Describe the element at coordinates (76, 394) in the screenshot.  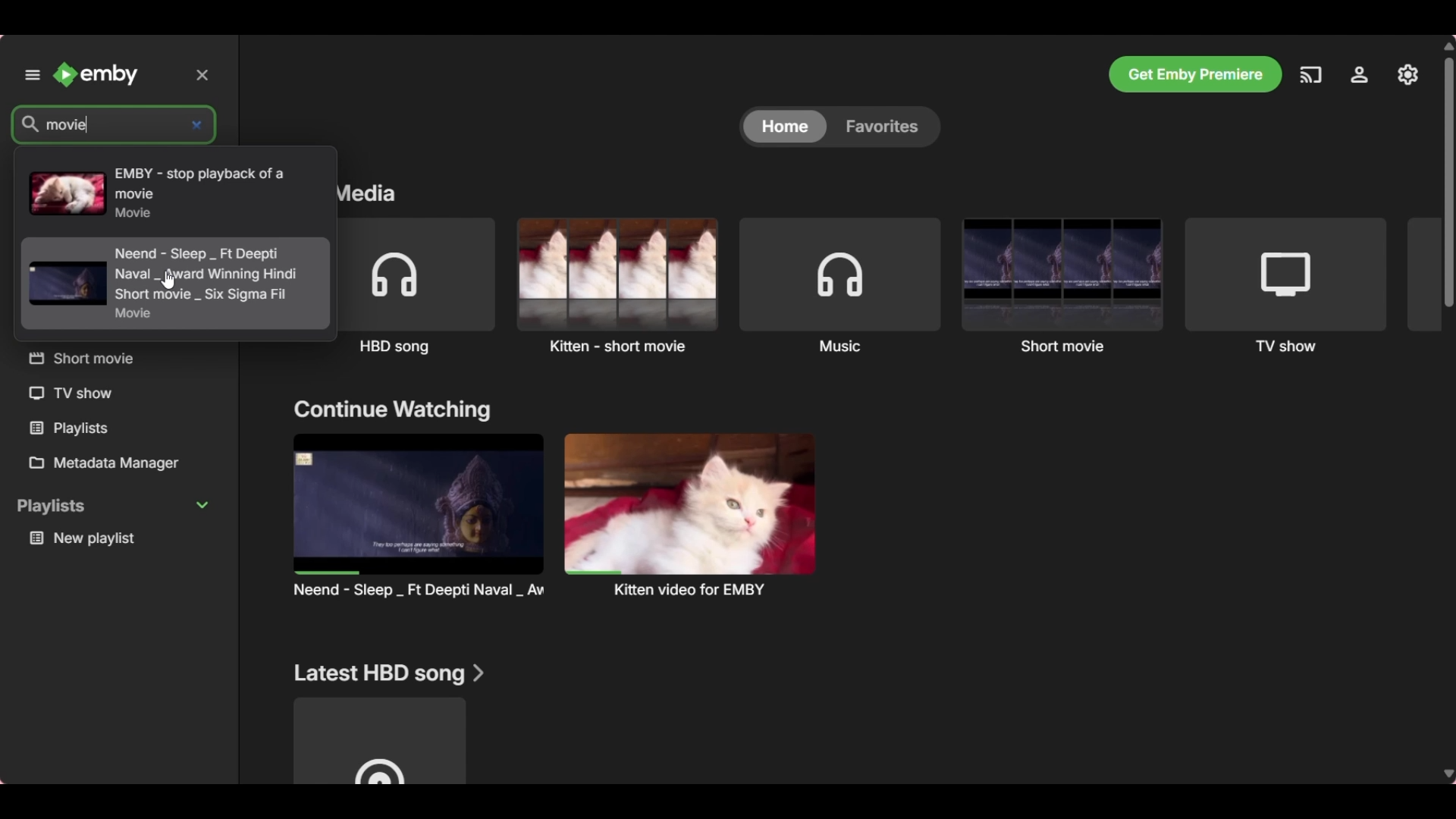
I see `` at that location.